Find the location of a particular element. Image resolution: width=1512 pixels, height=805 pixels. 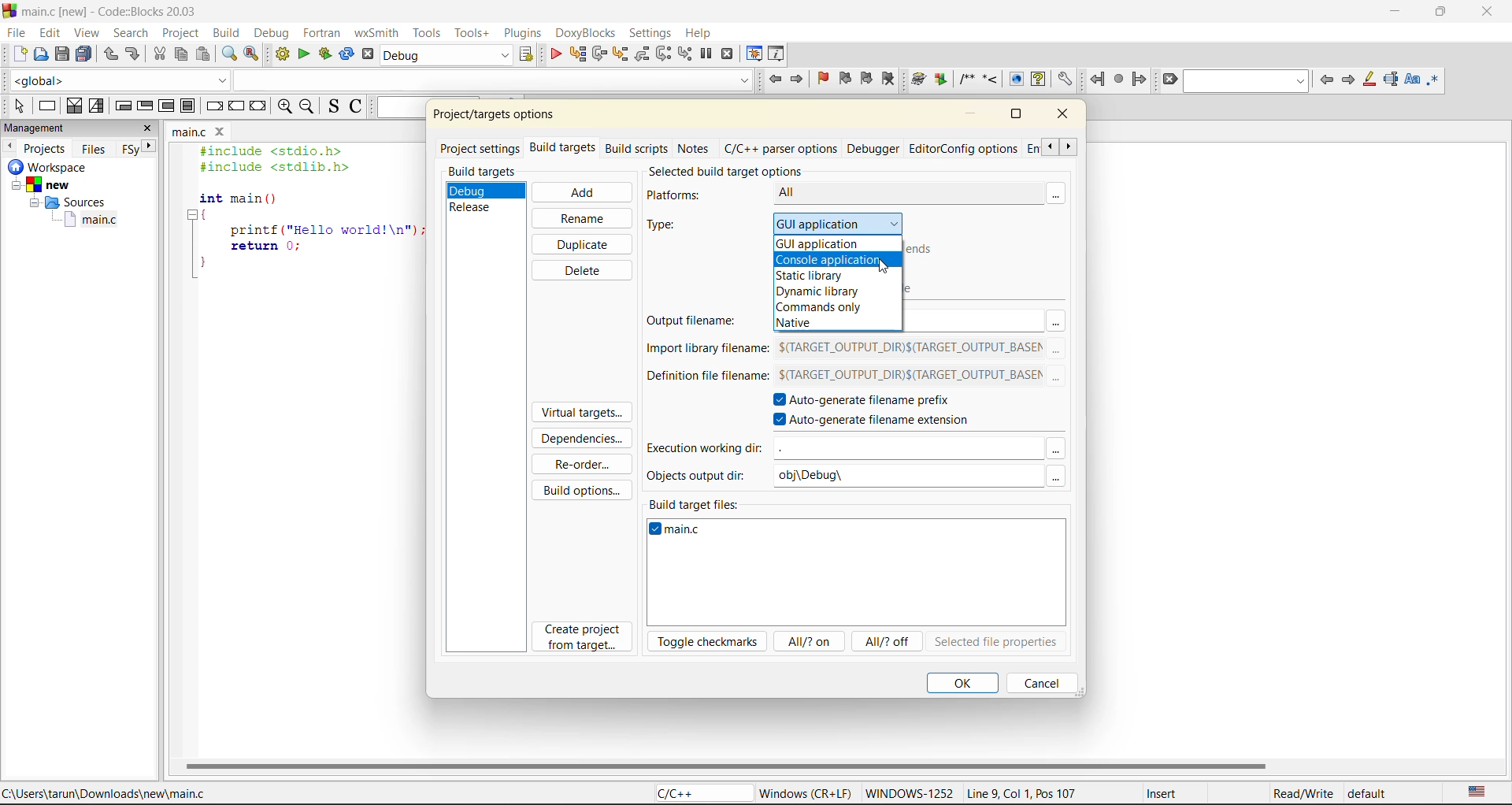

dynamic library is located at coordinates (819, 291).